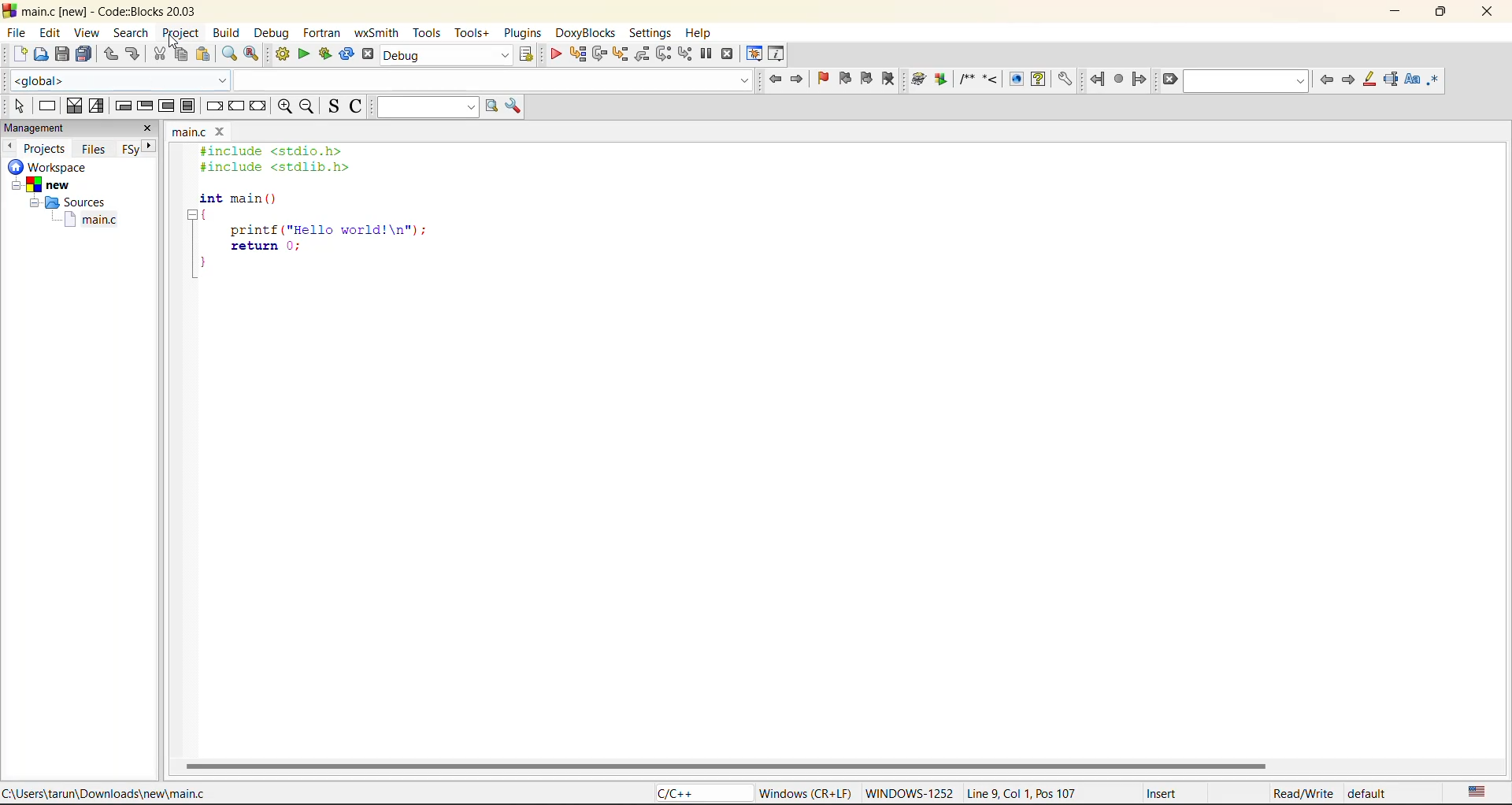 This screenshot has width=1512, height=805. Describe the element at coordinates (46, 148) in the screenshot. I see `projects` at that location.